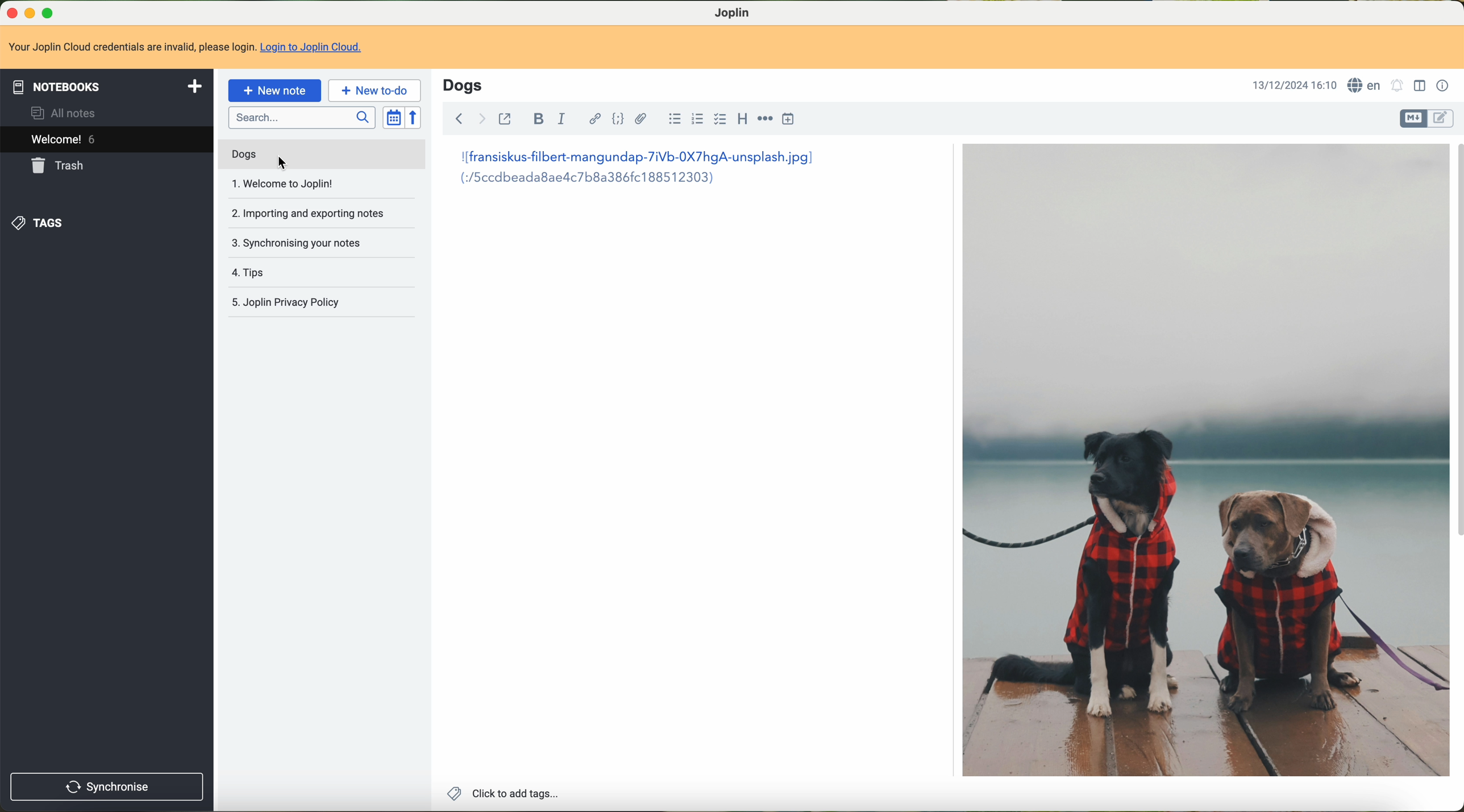  I want to click on welcome note, so click(282, 185).